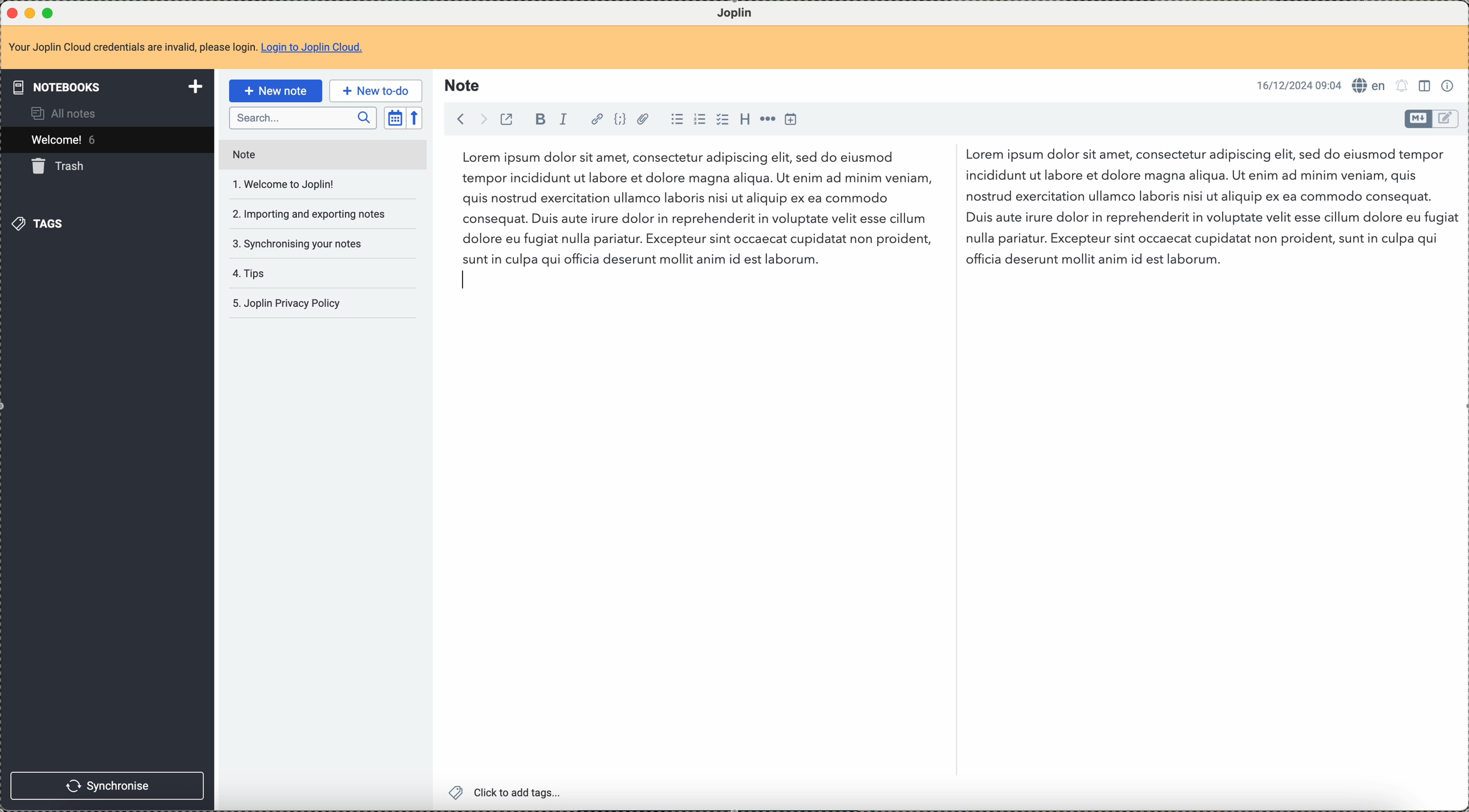 The image size is (1469, 812). What do you see at coordinates (70, 112) in the screenshot?
I see `all notes` at bounding box center [70, 112].